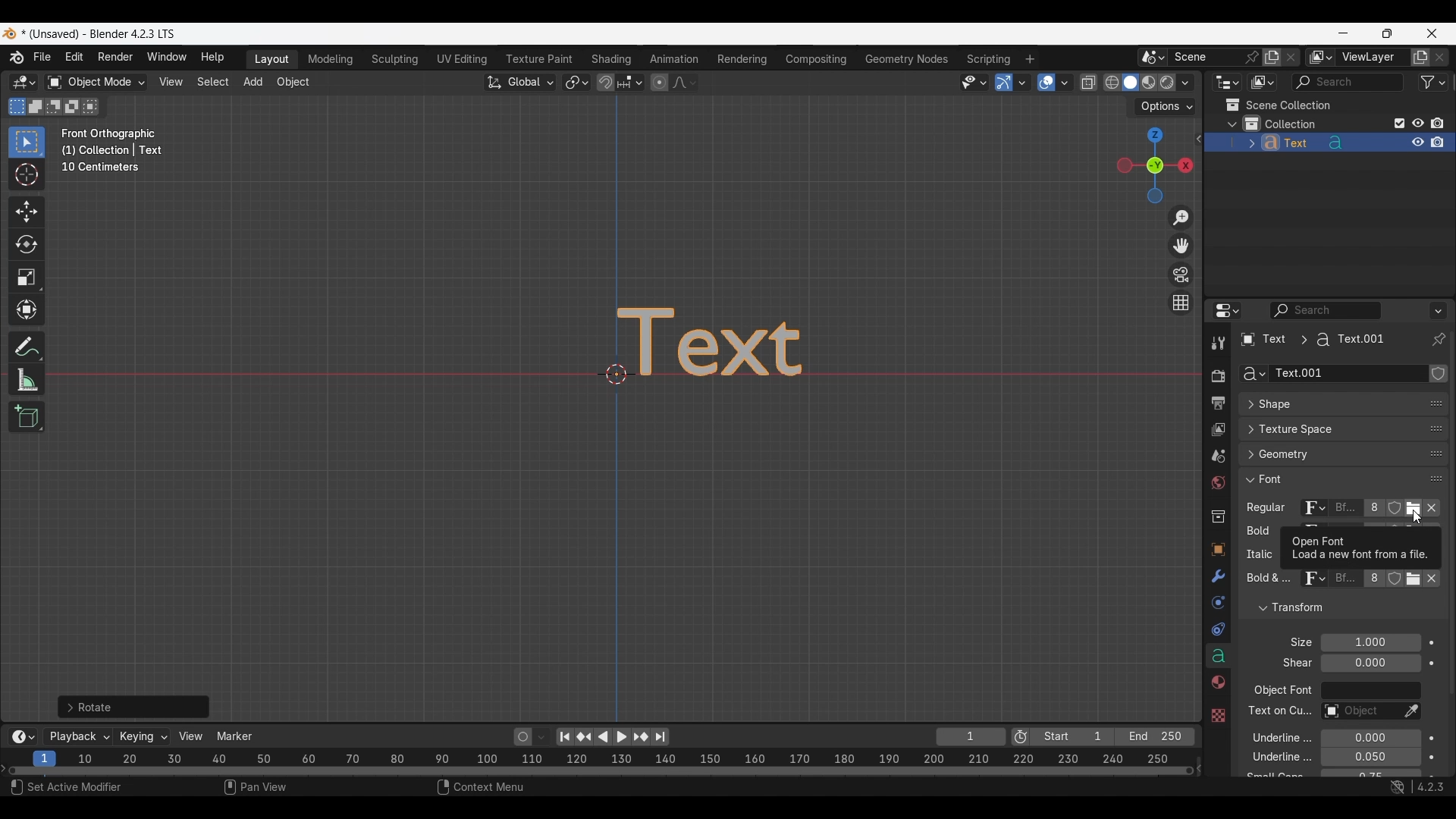  I want to click on italic, so click(1257, 555).